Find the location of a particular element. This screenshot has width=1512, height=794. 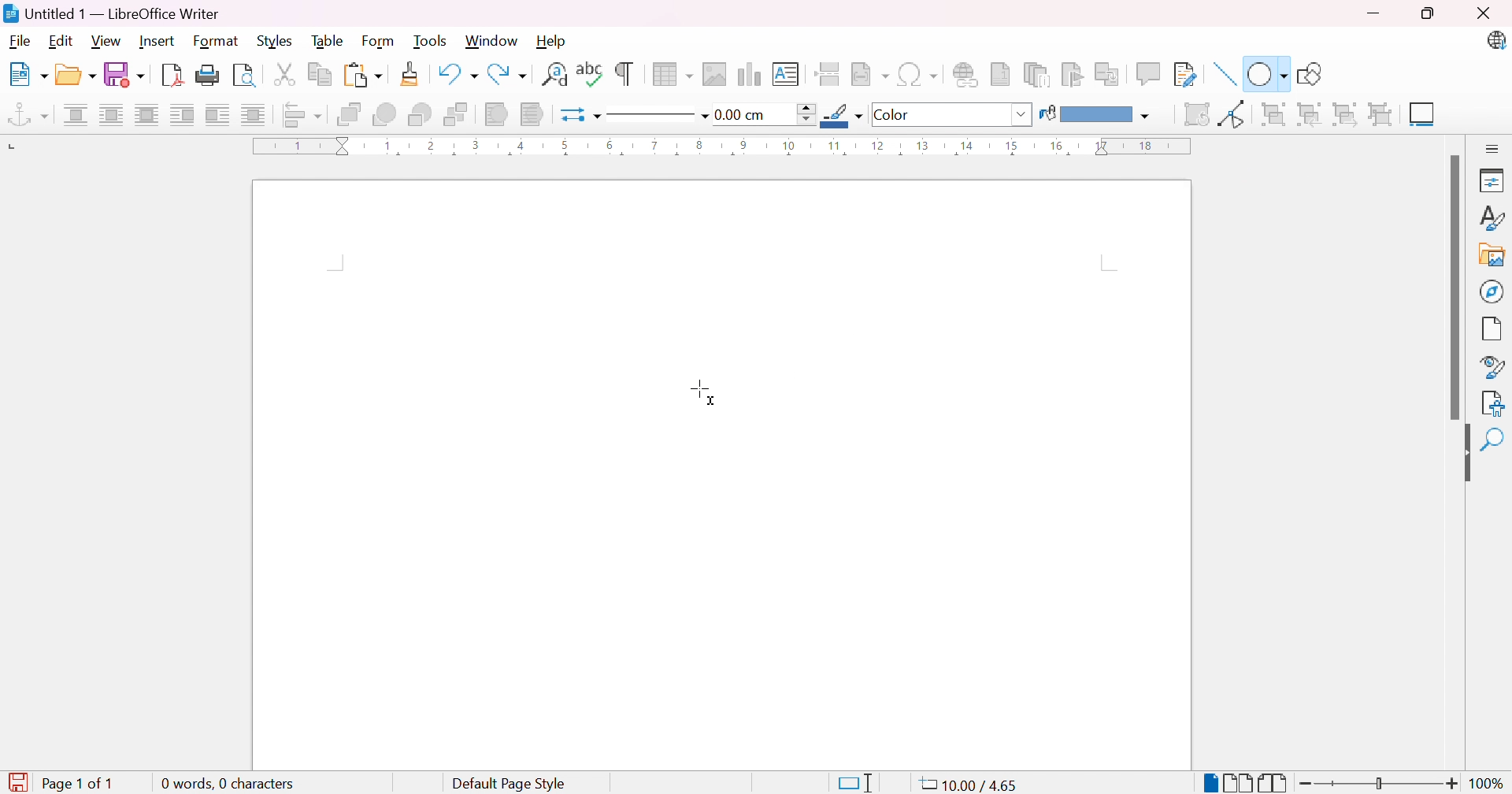

Save is located at coordinates (125, 74).